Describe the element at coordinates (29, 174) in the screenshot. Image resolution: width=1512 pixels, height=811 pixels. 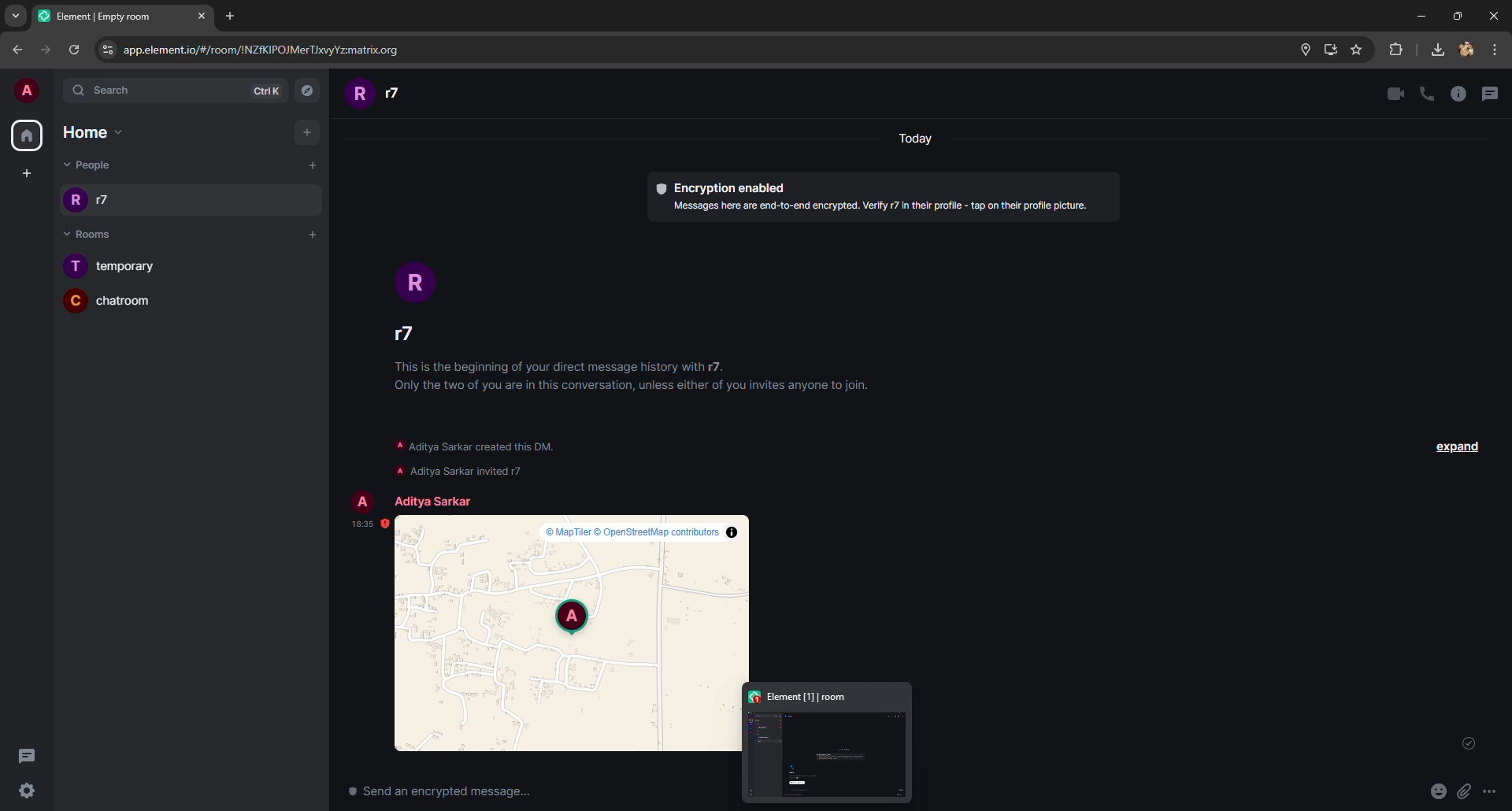
I see `create a space` at that location.